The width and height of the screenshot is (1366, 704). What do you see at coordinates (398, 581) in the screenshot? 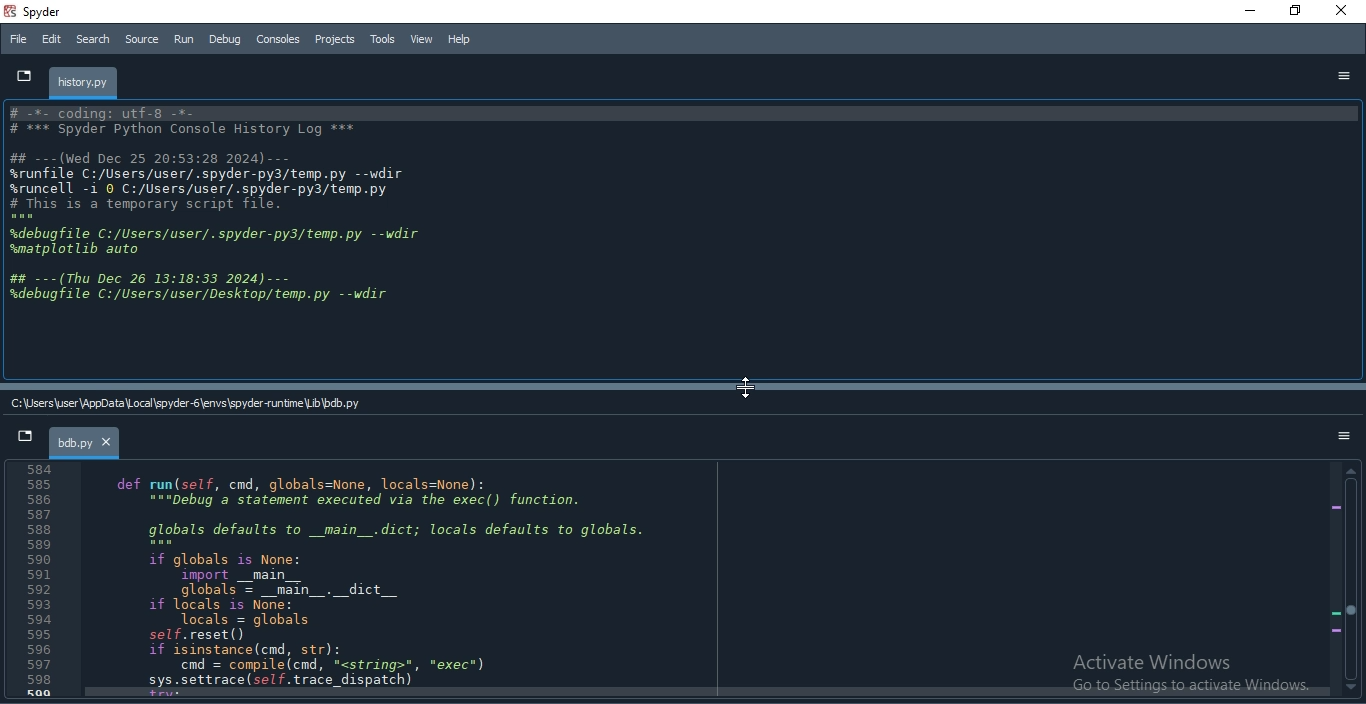
I see `code` at bounding box center [398, 581].